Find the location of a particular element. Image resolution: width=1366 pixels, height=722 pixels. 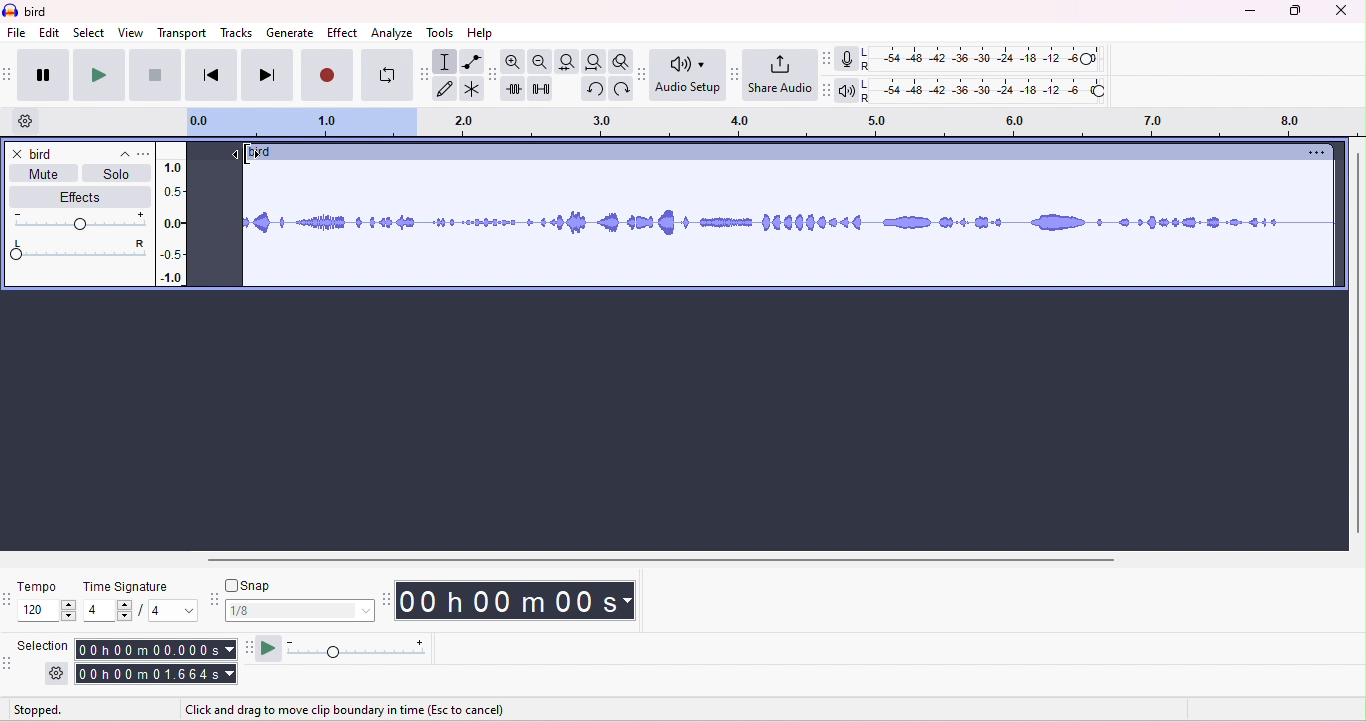

record is located at coordinates (327, 77).